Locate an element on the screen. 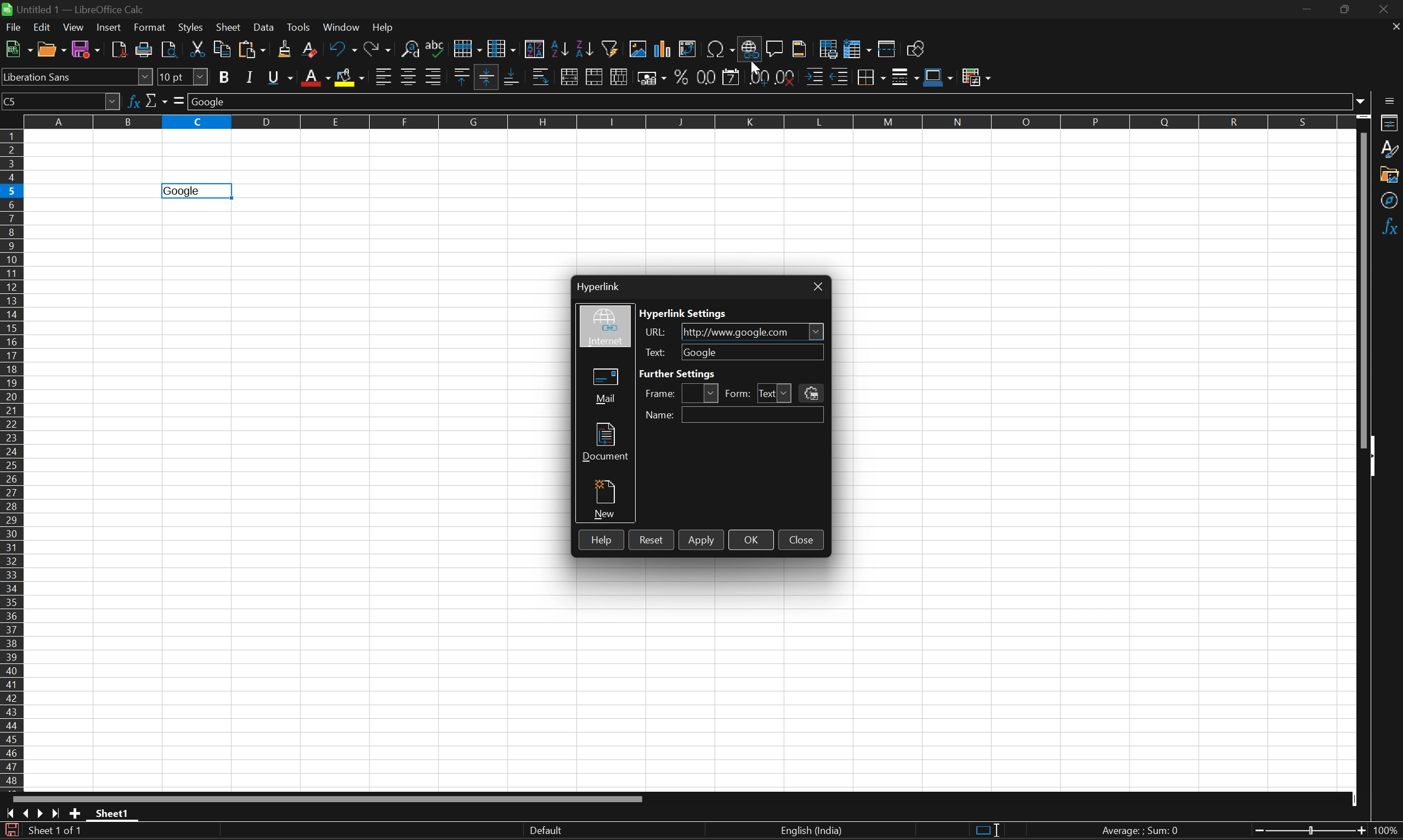 This screenshot has width=1403, height=840. Clear direct formatting is located at coordinates (311, 51).